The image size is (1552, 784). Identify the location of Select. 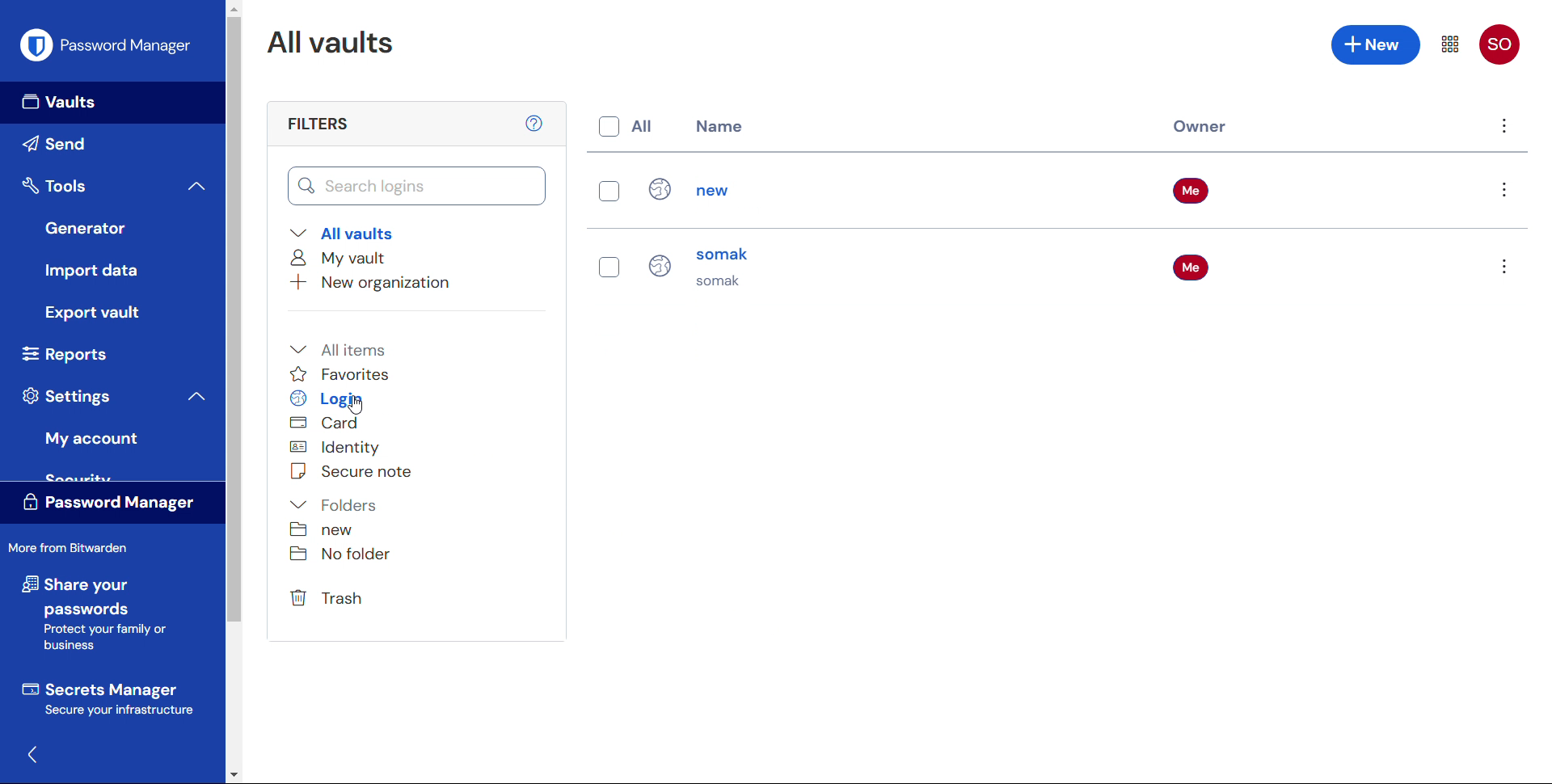
(609, 188).